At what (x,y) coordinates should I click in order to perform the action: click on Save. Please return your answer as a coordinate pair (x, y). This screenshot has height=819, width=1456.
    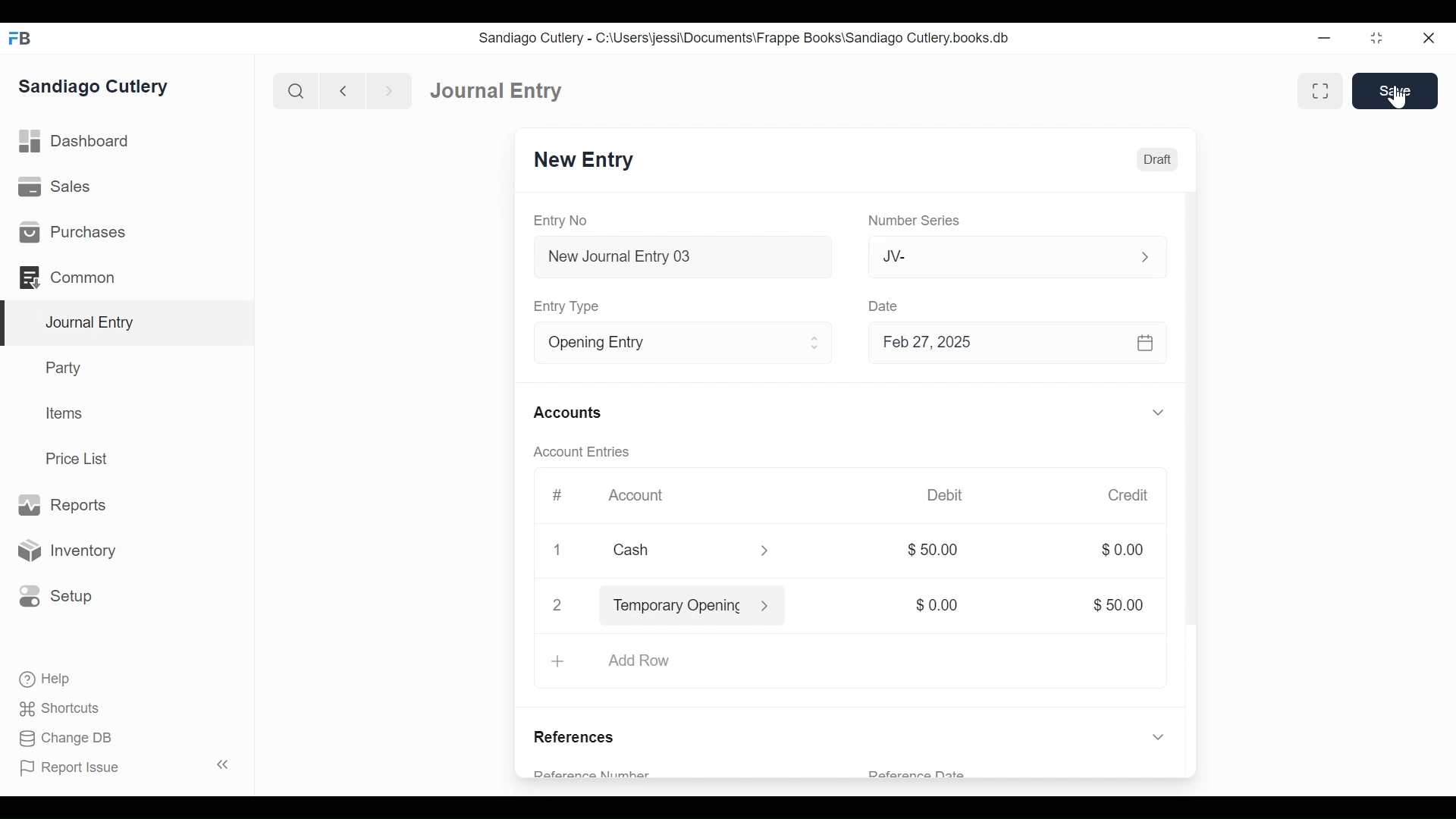
    Looking at the image, I should click on (1393, 93).